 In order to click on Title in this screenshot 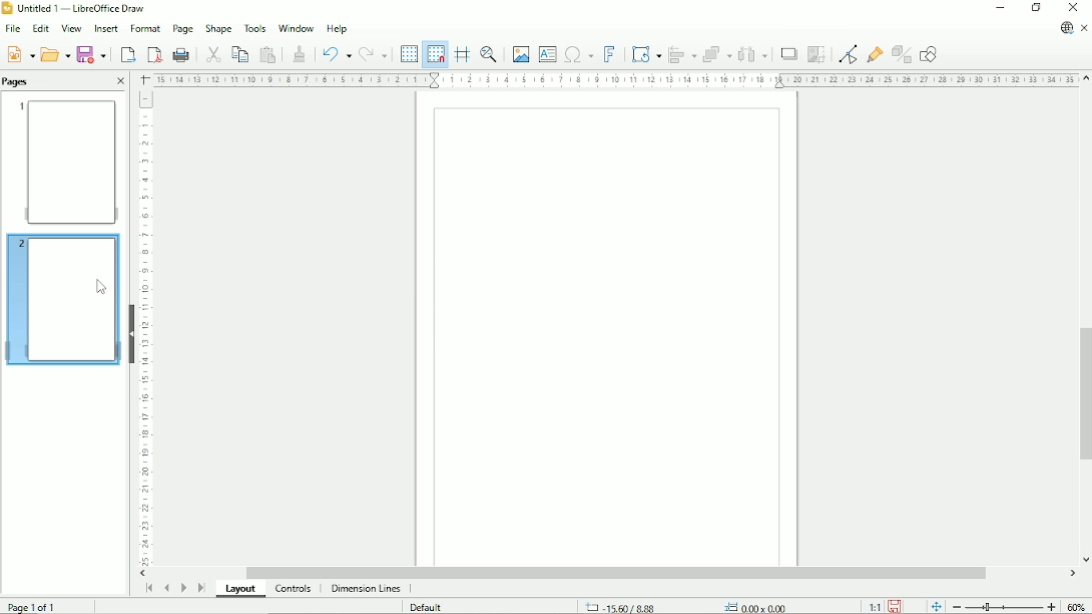, I will do `click(77, 9)`.